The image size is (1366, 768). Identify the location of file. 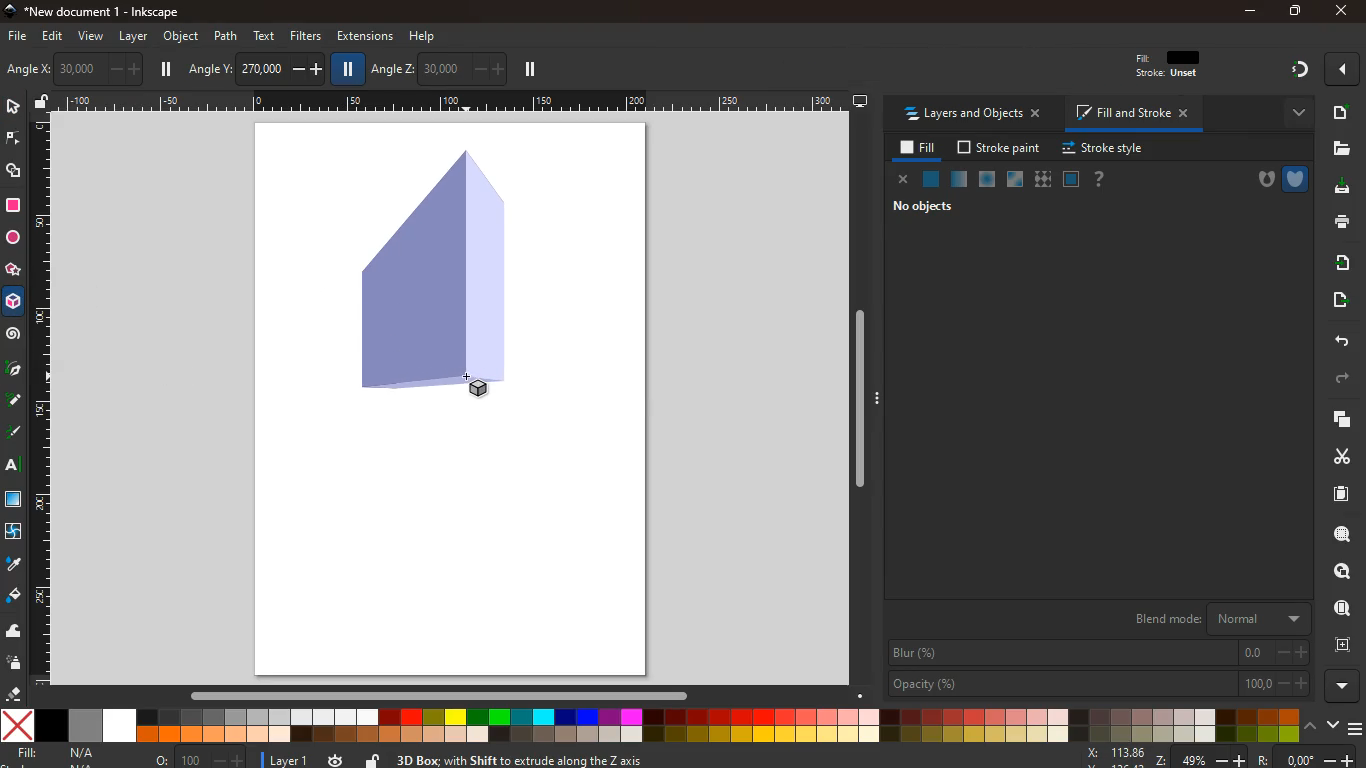
(16, 35).